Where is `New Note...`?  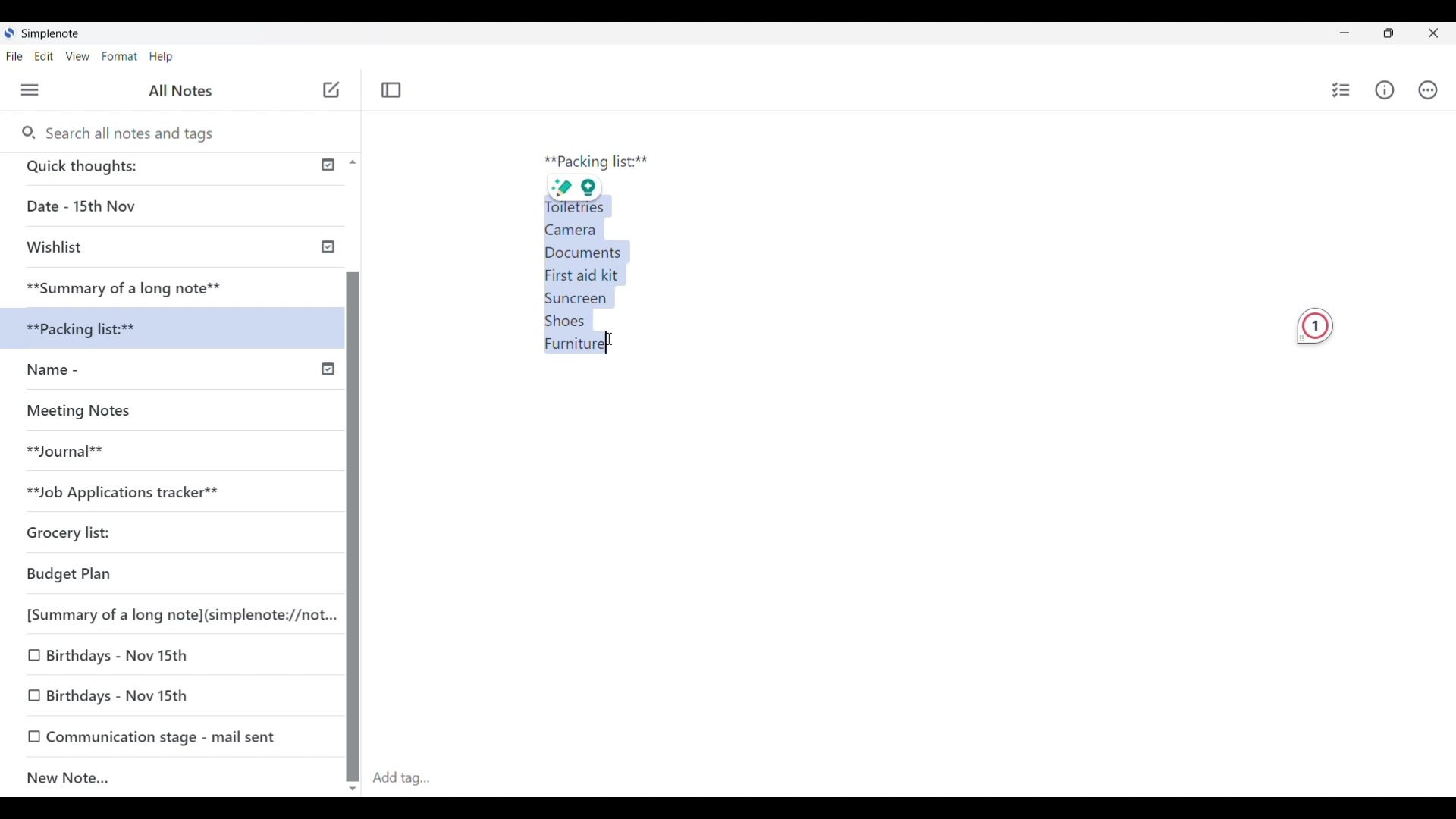
New Note... is located at coordinates (155, 775).